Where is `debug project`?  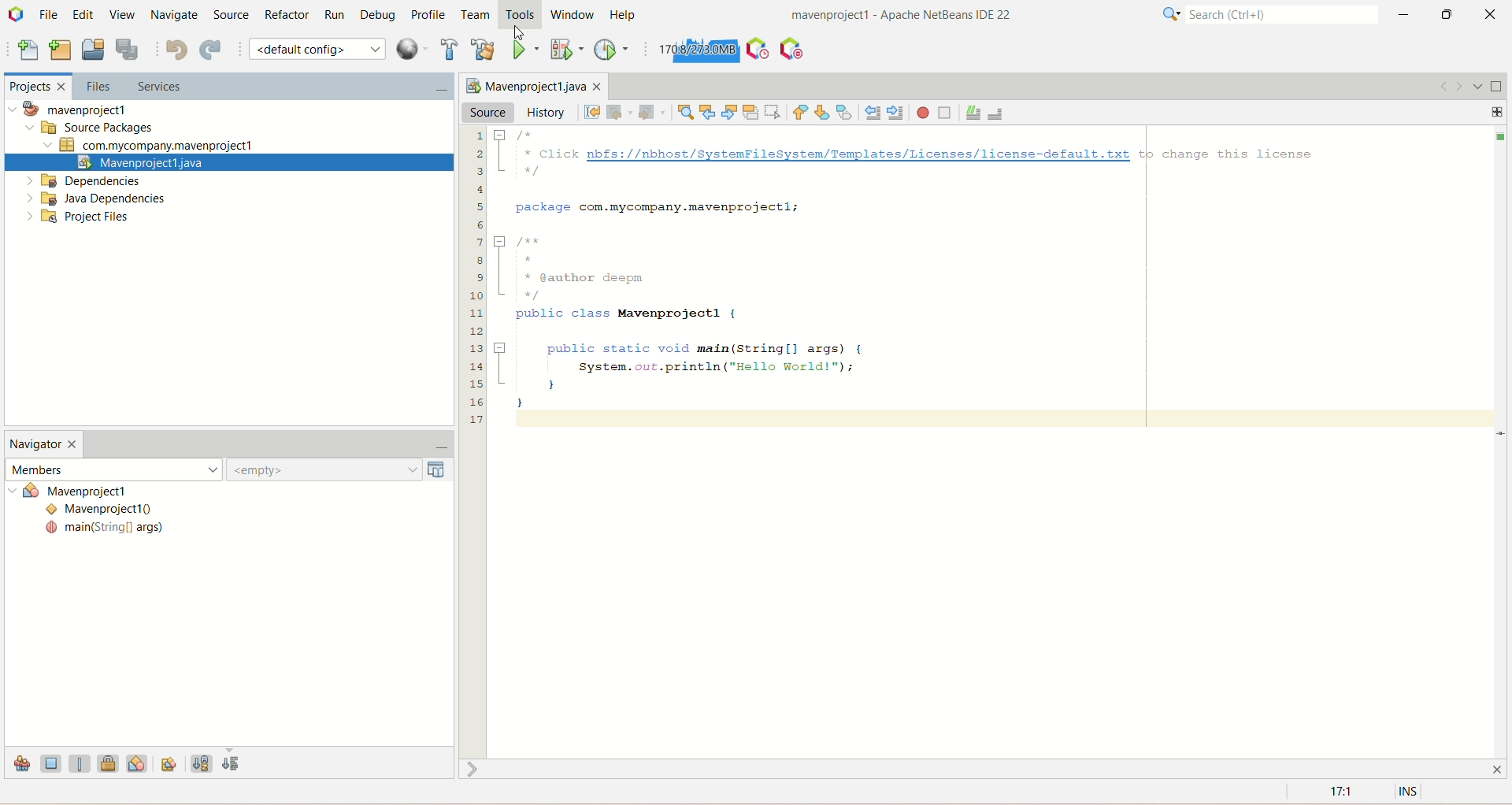
debug project is located at coordinates (564, 49).